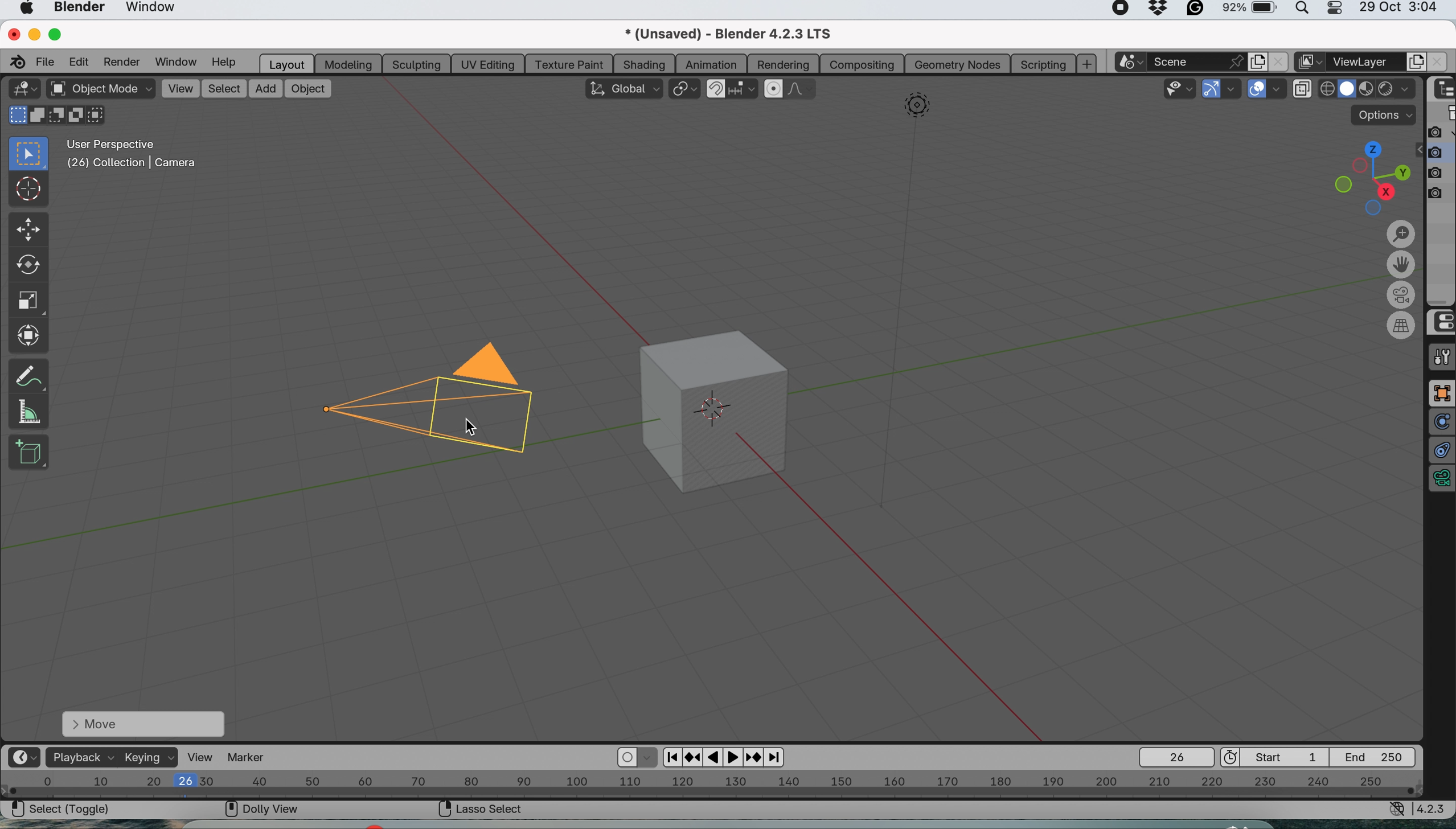  Describe the element at coordinates (1417, 61) in the screenshot. I see `add layer` at that location.